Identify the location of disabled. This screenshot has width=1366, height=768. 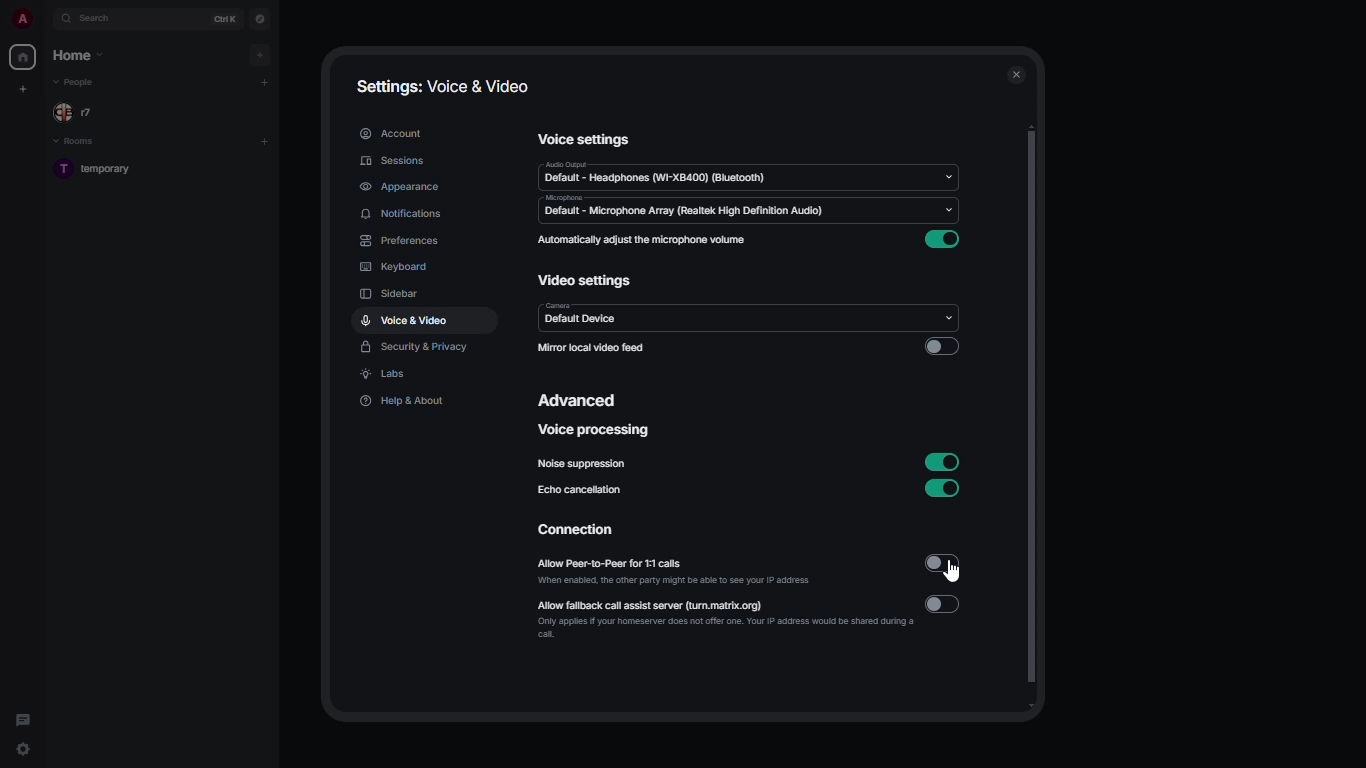
(941, 348).